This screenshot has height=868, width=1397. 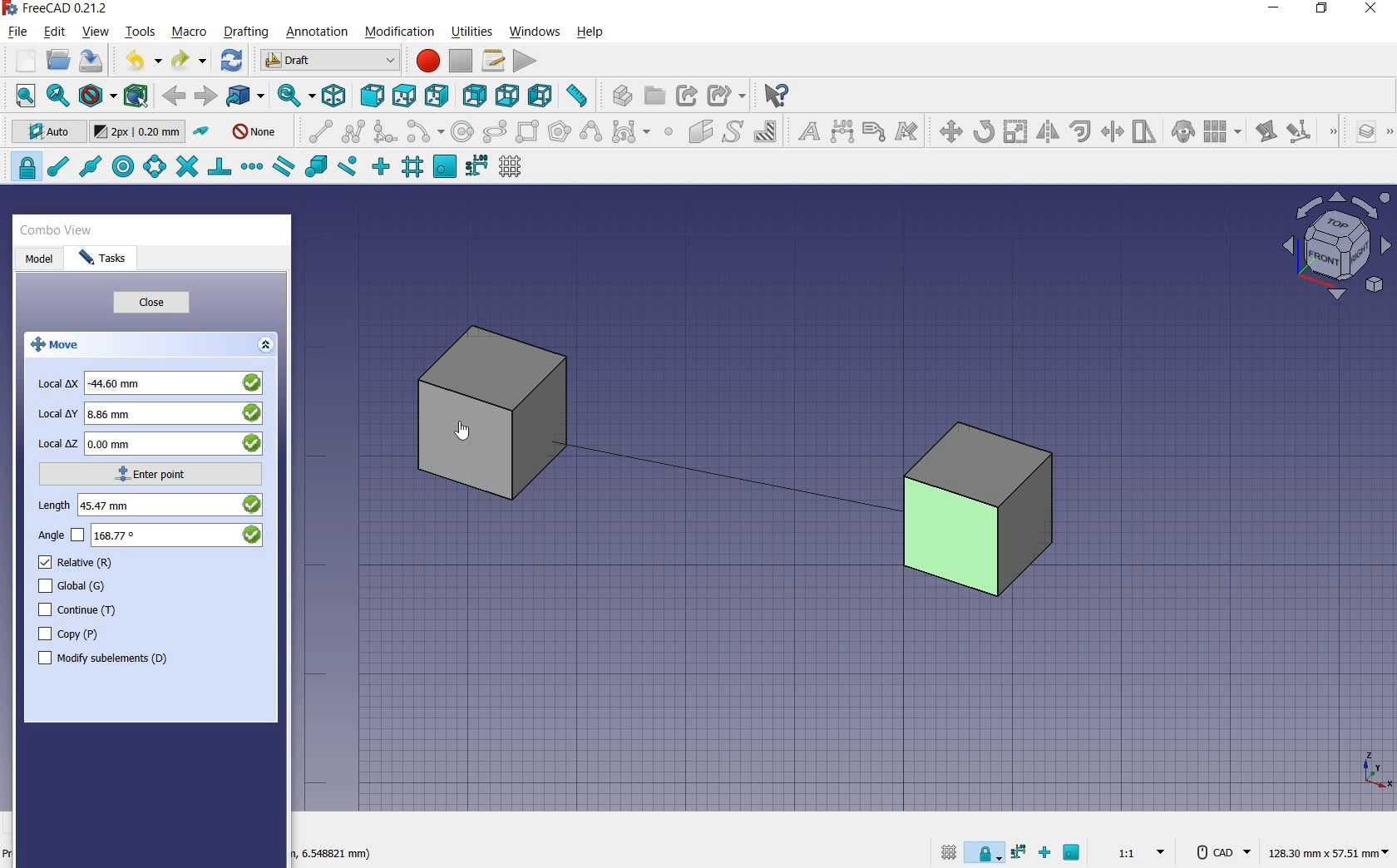 I want to click on hatch, so click(x=766, y=131).